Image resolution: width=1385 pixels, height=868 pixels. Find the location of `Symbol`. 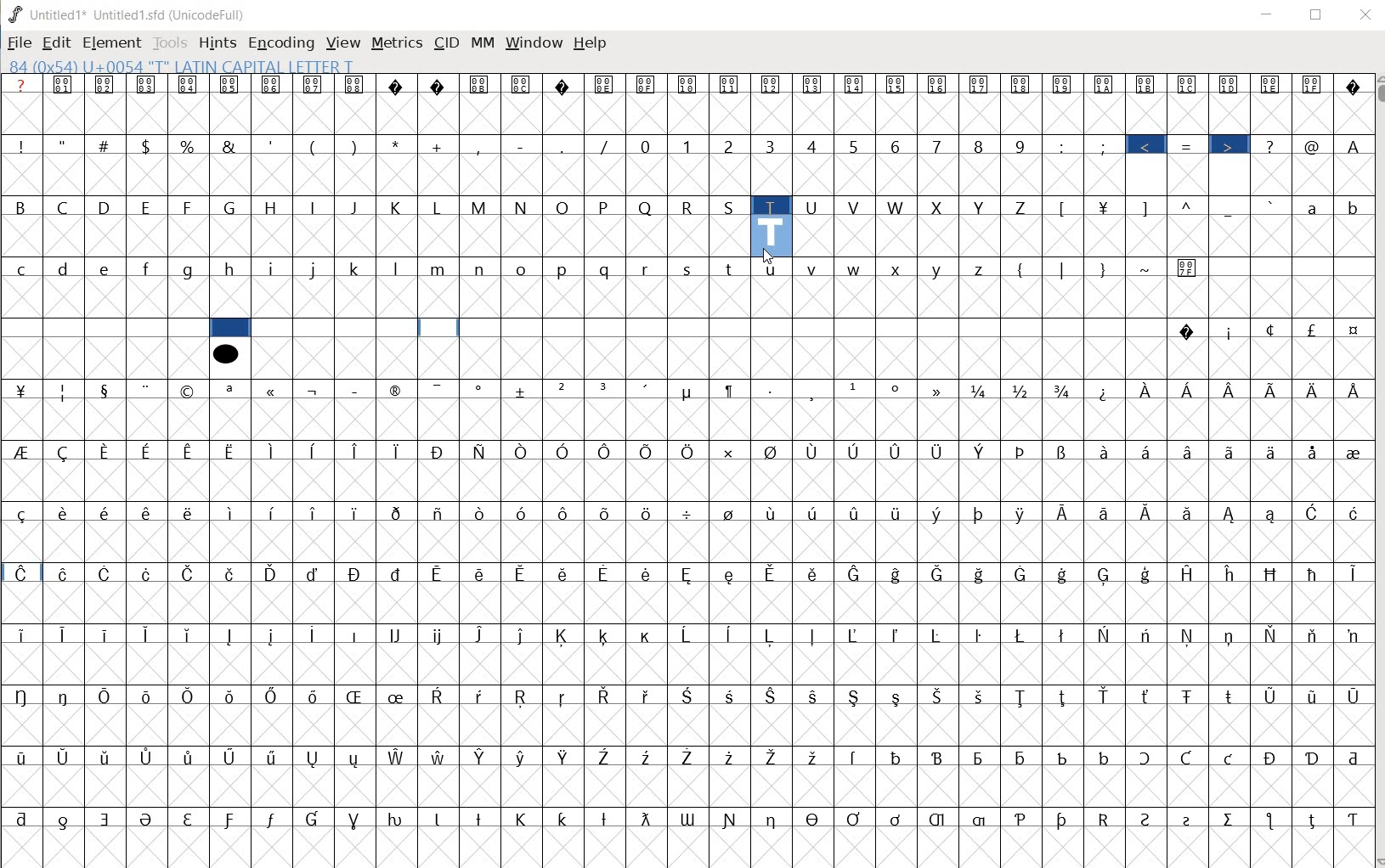

Symbol is located at coordinates (399, 85).